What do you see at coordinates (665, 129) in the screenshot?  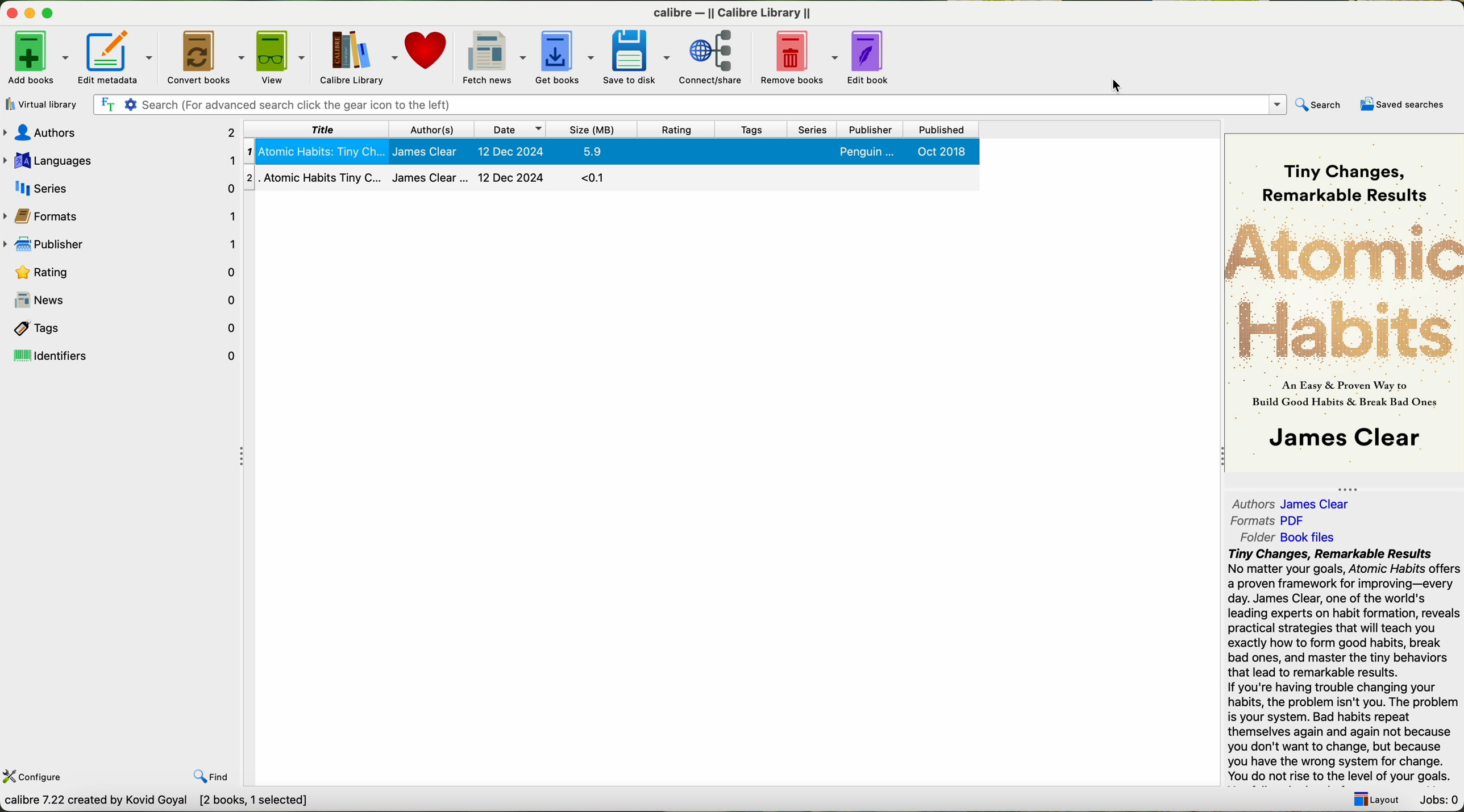 I see `rating` at bounding box center [665, 129].